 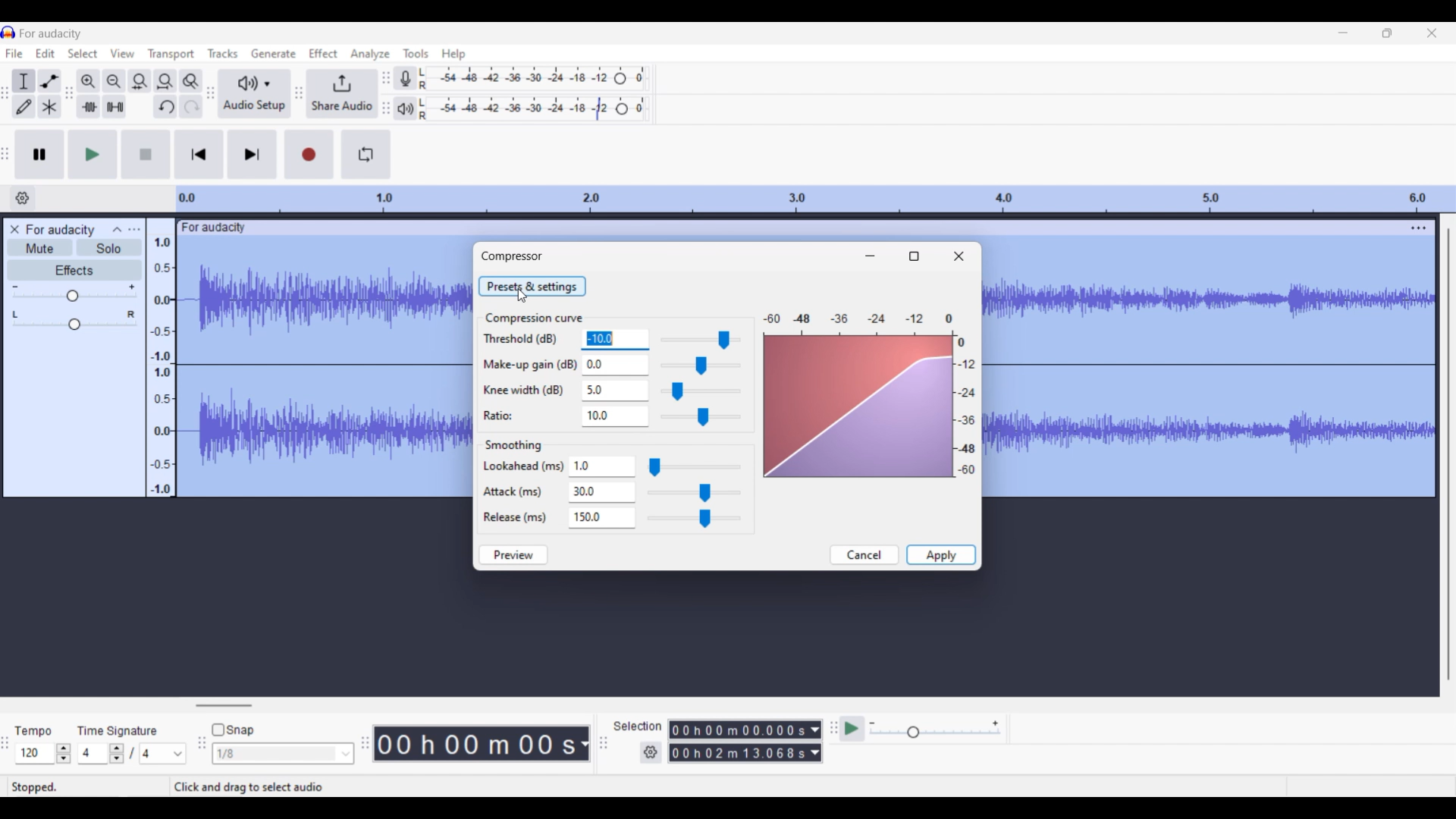 What do you see at coordinates (695, 518) in the screenshot?
I see `Release slider` at bounding box center [695, 518].